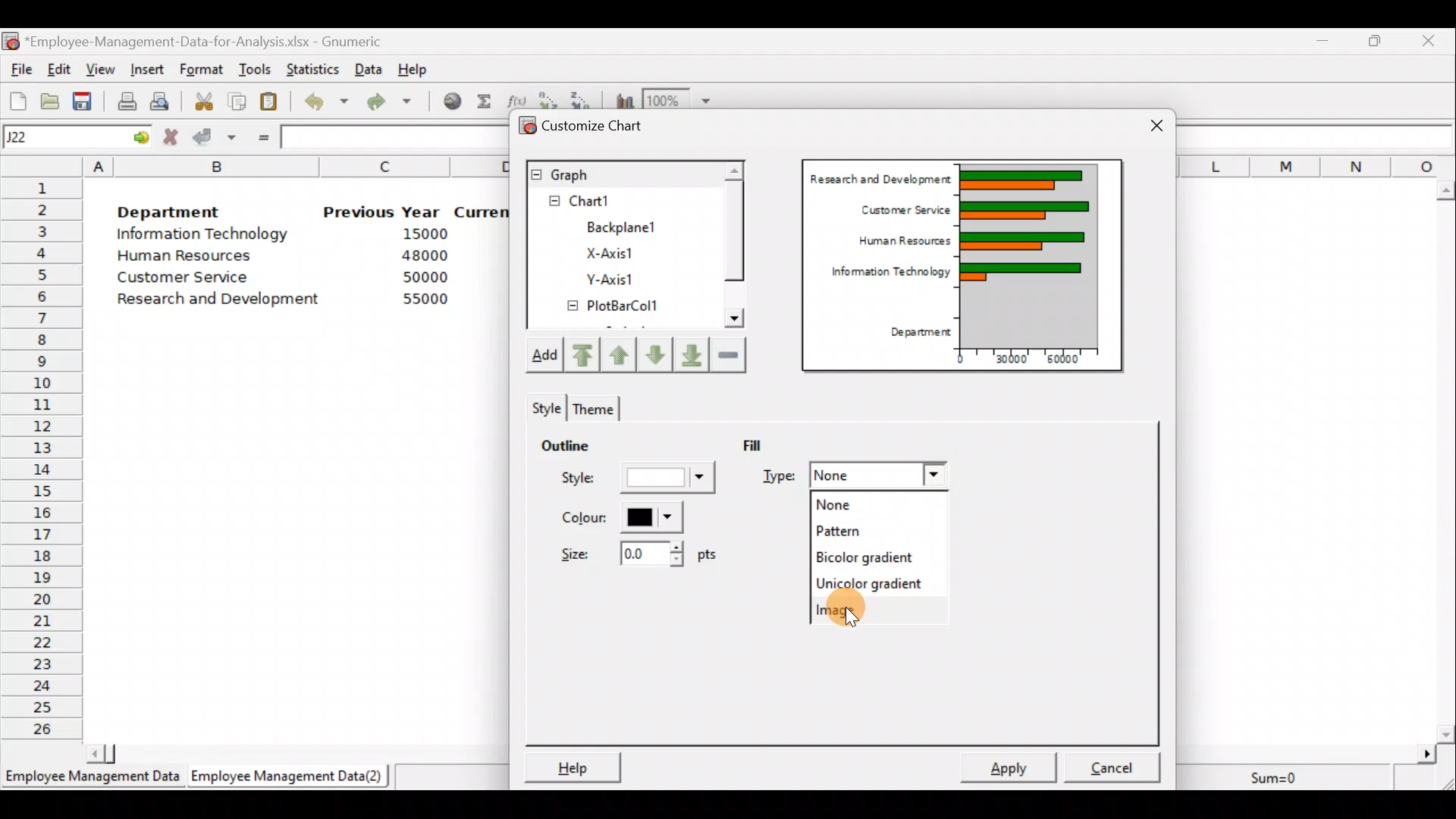 The width and height of the screenshot is (1456, 819). I want to click on Sort in Ascending order, so click(549, 98).